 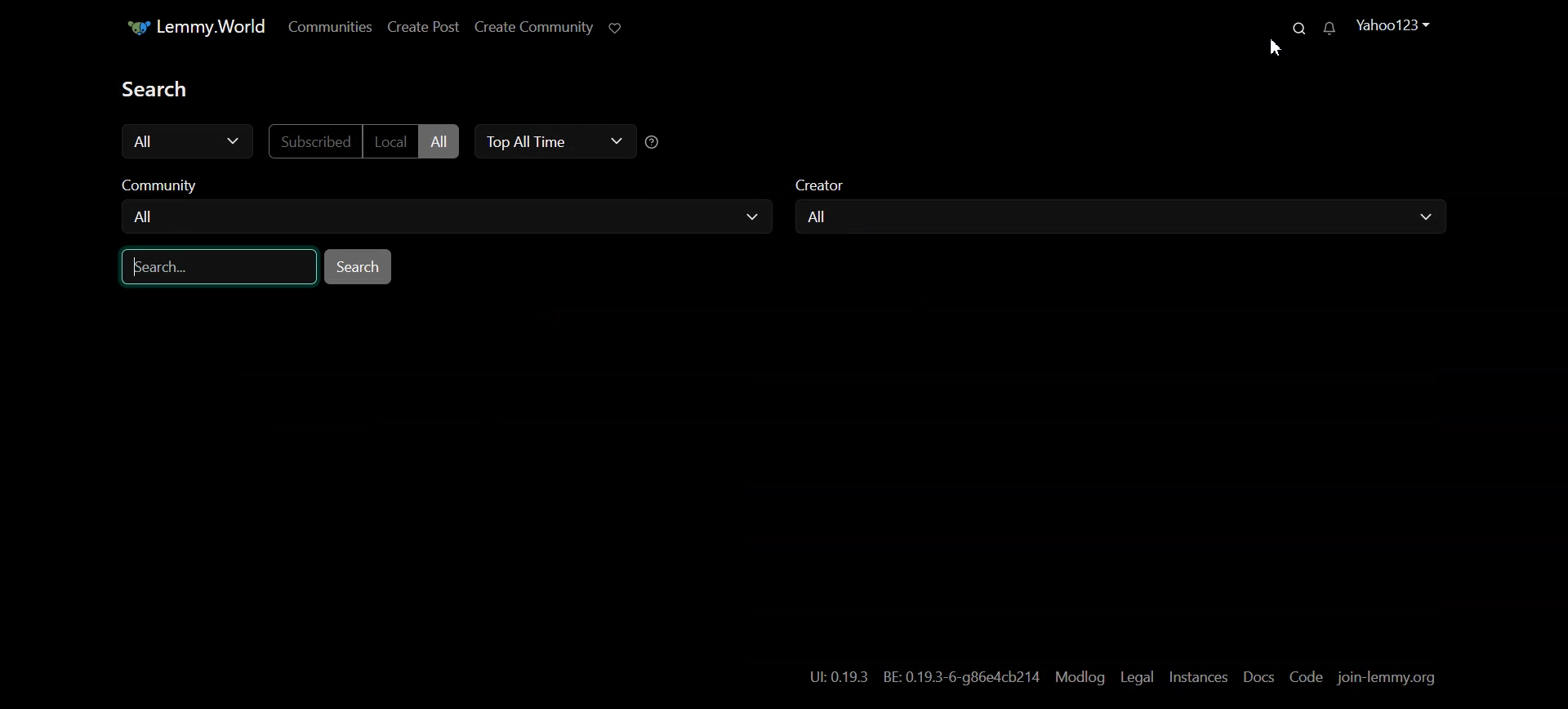 I want to click on Unread Message, so click(x=1333, y=29).